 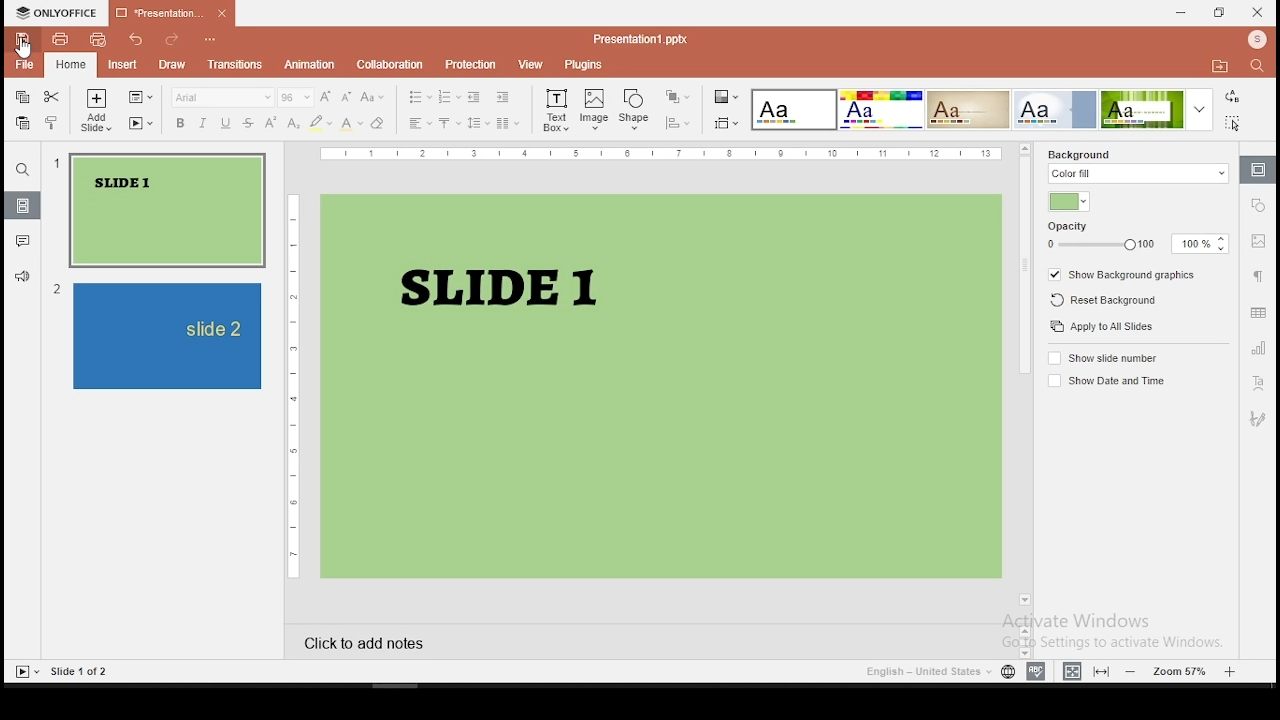 What do you see at coordinates (968, 109) in the screenshot?
I see `select color theme` at bounding box center [968, 109].